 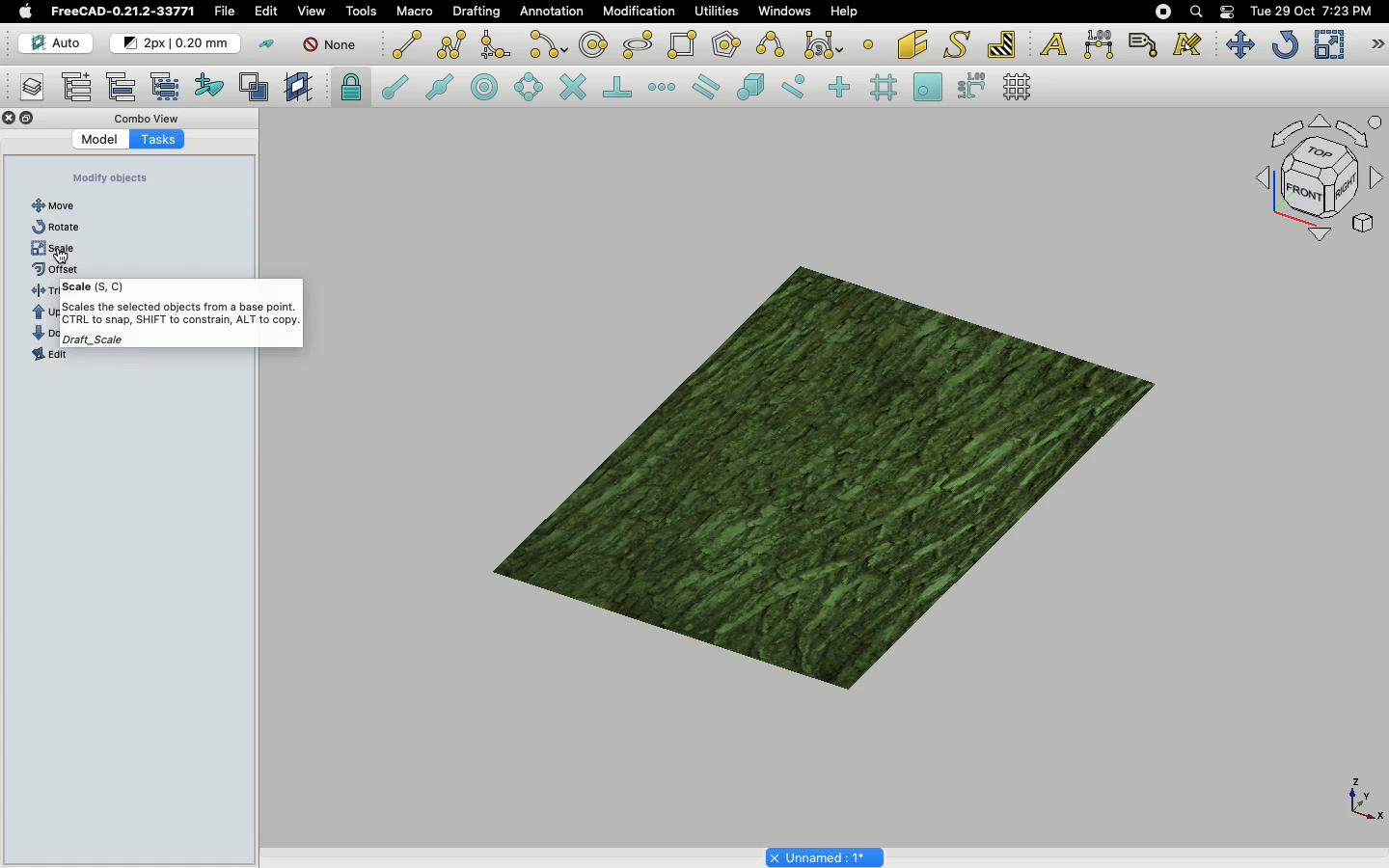 What do you see at coordinates (885, 87) in the screenshot?
I see `Snap grid` at bounding box center [885, 87].